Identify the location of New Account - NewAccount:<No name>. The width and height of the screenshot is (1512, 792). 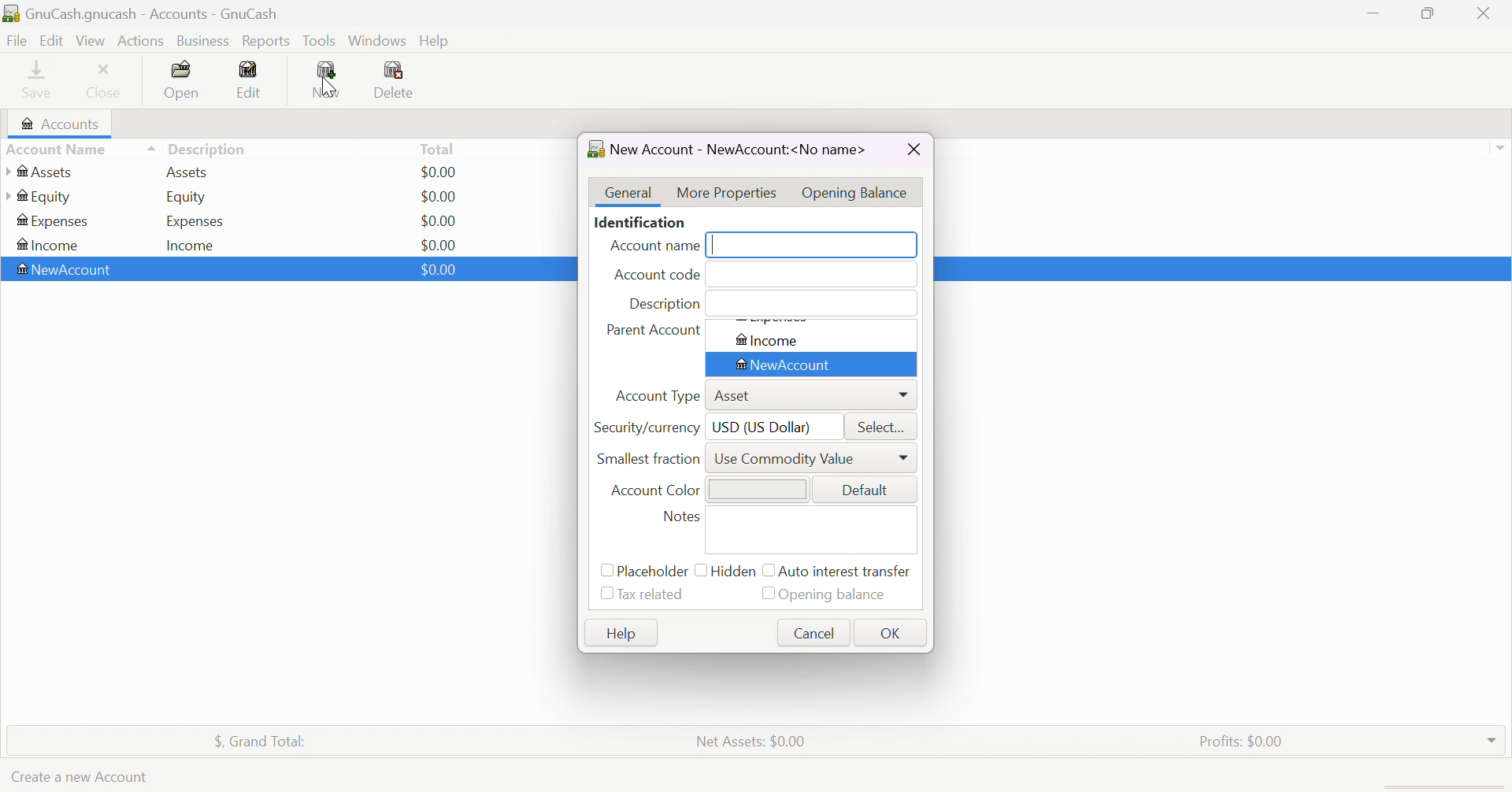
(728, 150).